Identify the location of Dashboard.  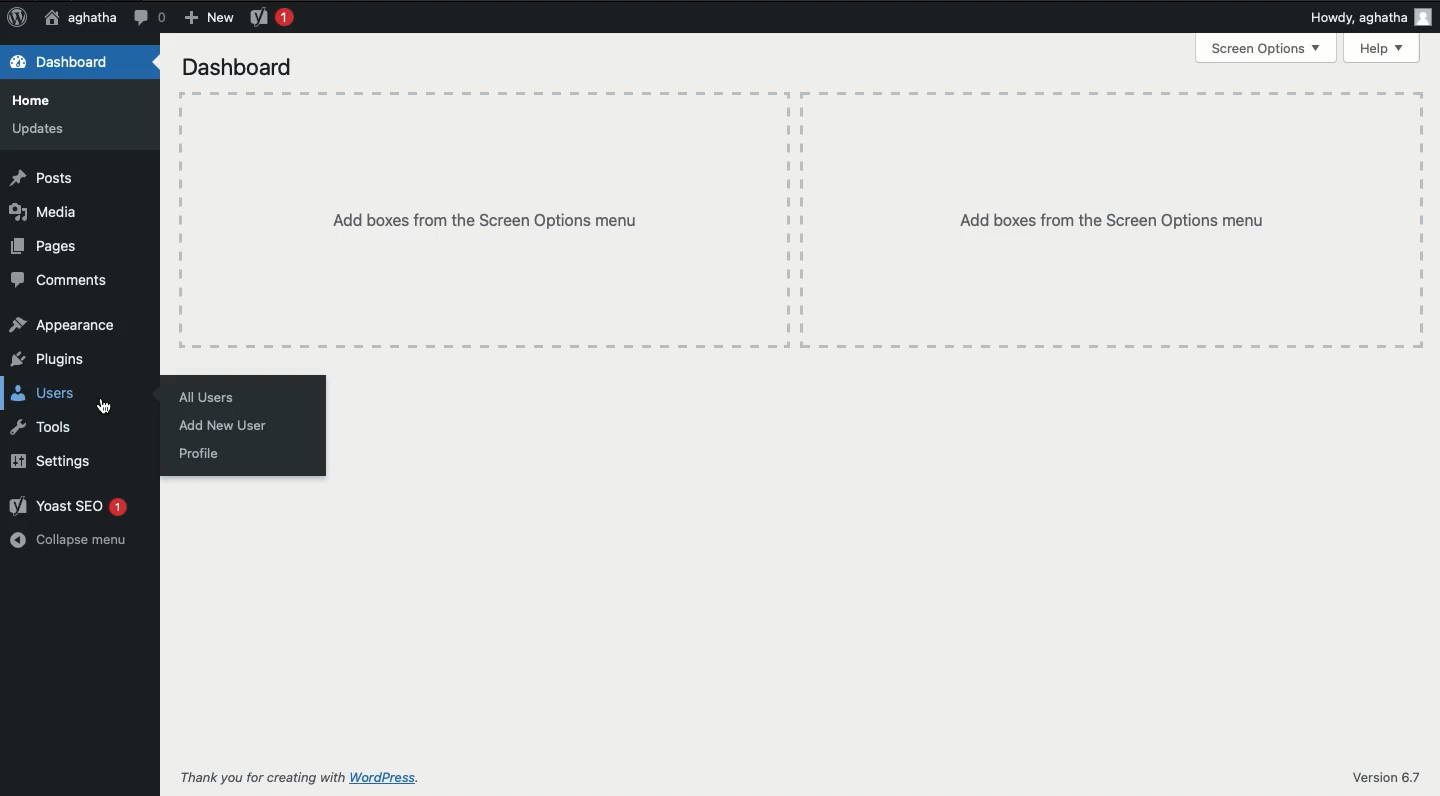
(65, 63).